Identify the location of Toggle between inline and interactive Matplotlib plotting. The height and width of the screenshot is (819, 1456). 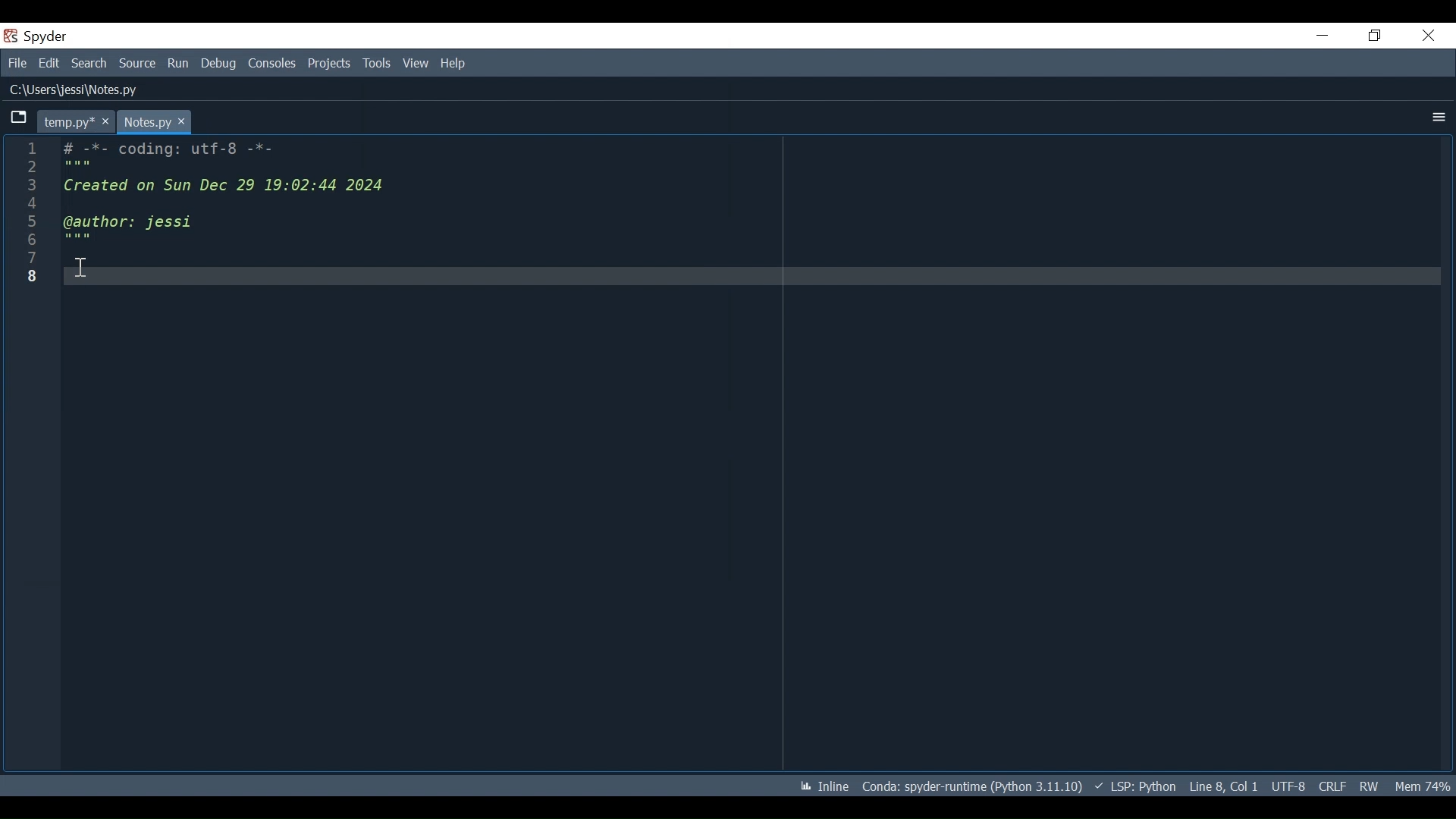
(821, 786).